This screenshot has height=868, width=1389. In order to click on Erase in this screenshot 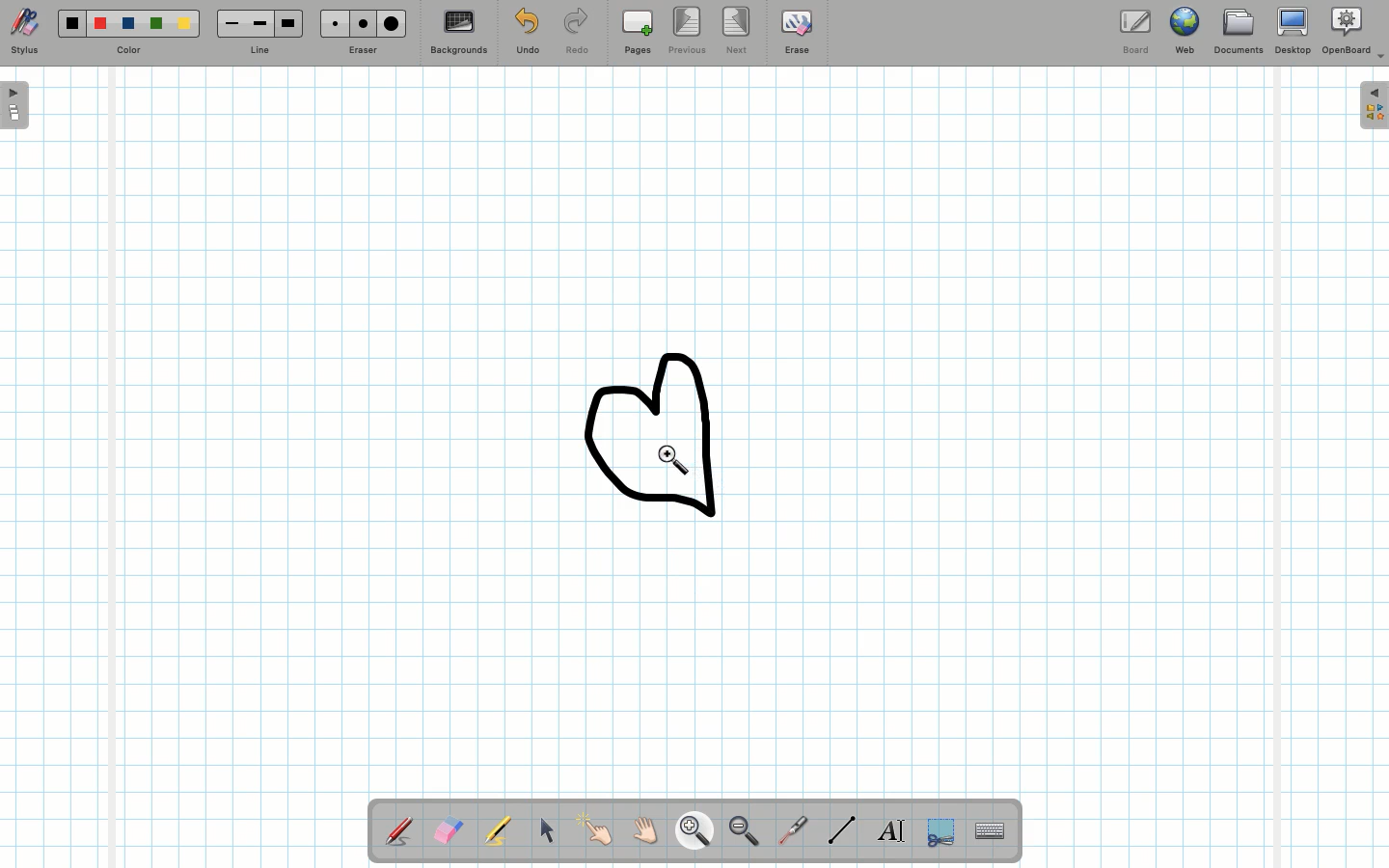, I will do `click(797, 36)`.